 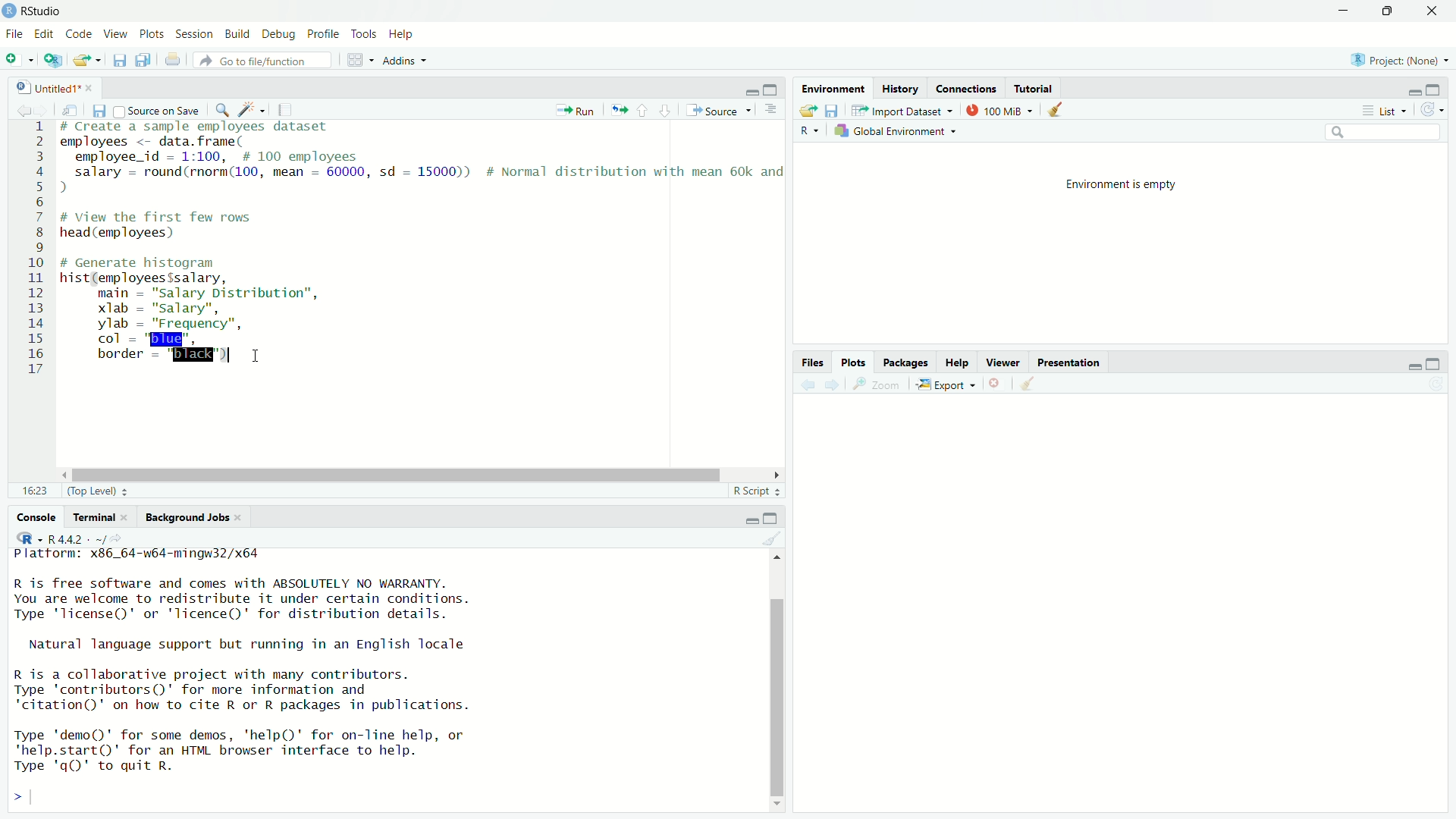 I want to click on open file, so click(x=89, y=60).